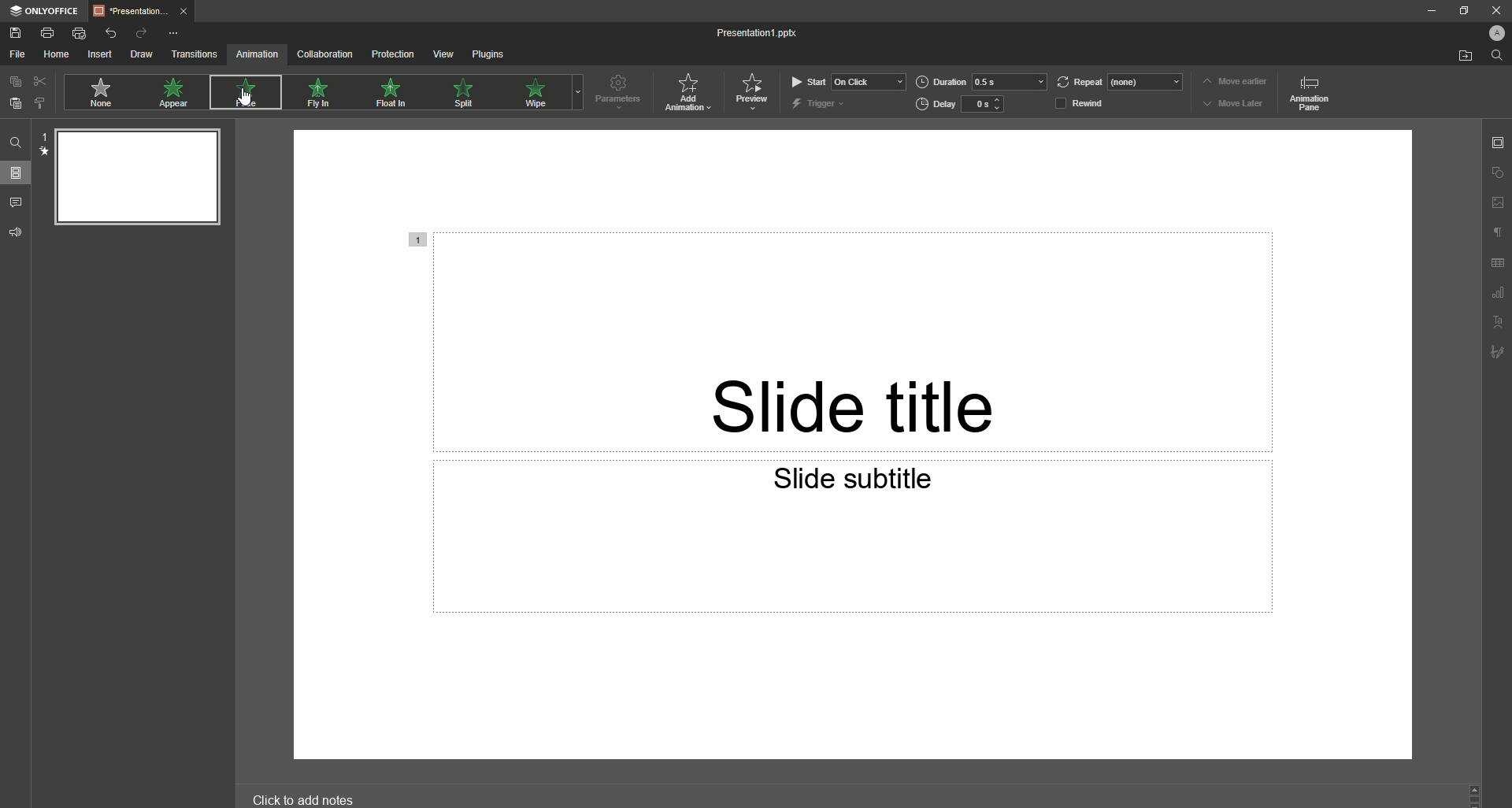  What do you see at coordinates (13, 82) in the screenshot?
I see `Copy` at bounding box center [13, 82].